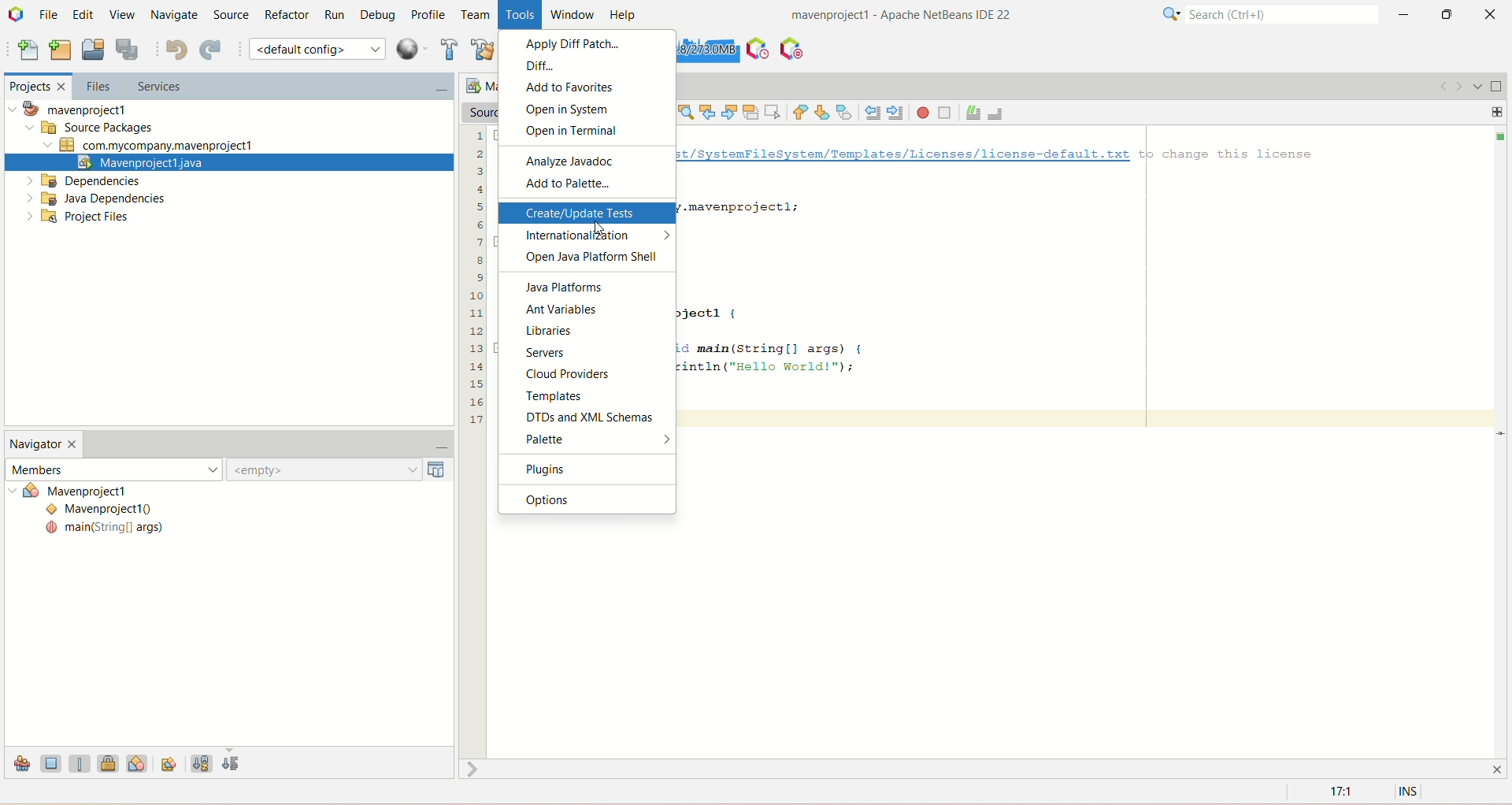  I want to click on minimize, so click(1404, 14).